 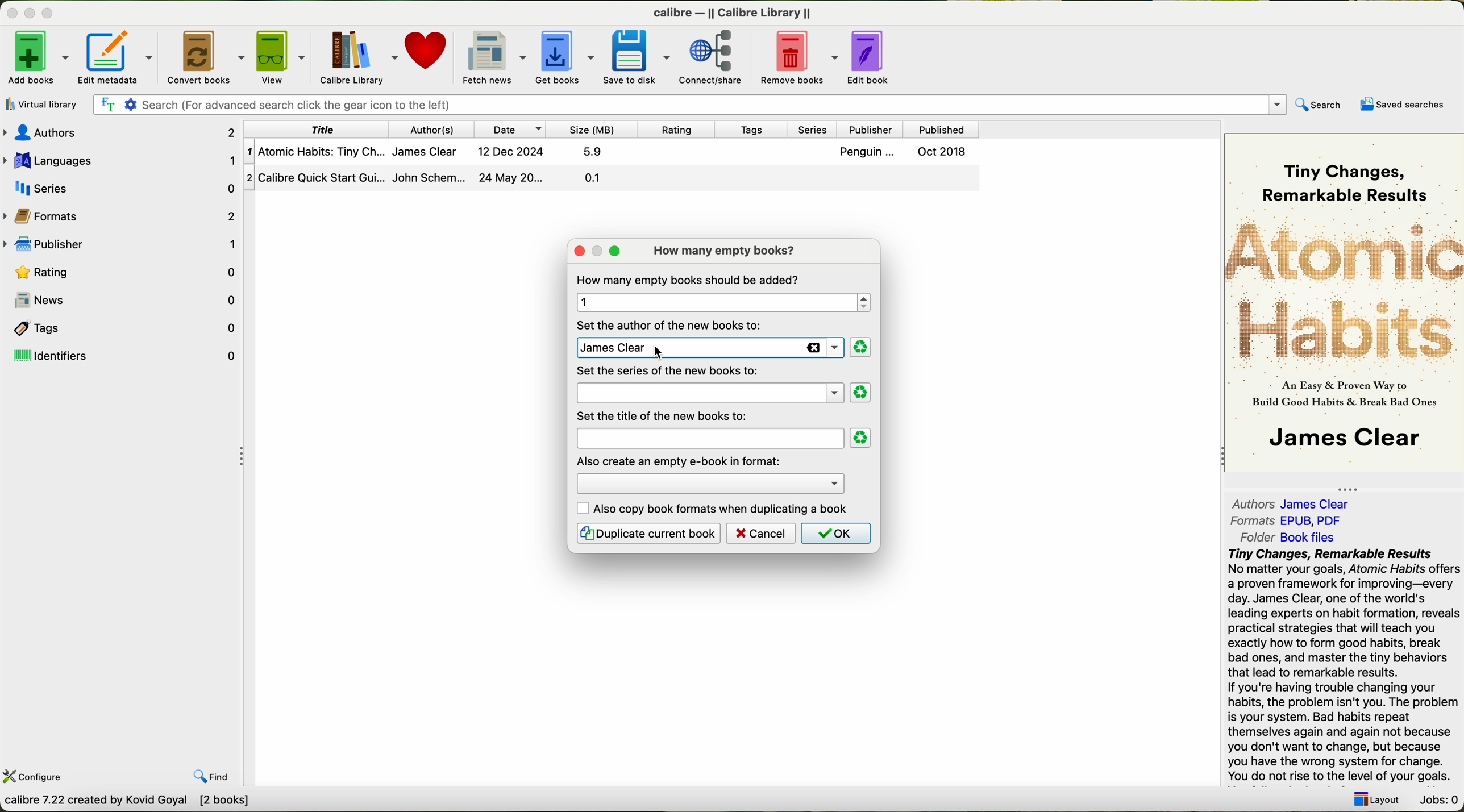 What do you see at coordinates (9, 9) in the screenshot?
I see `close program` at bounding box center [9, 9].